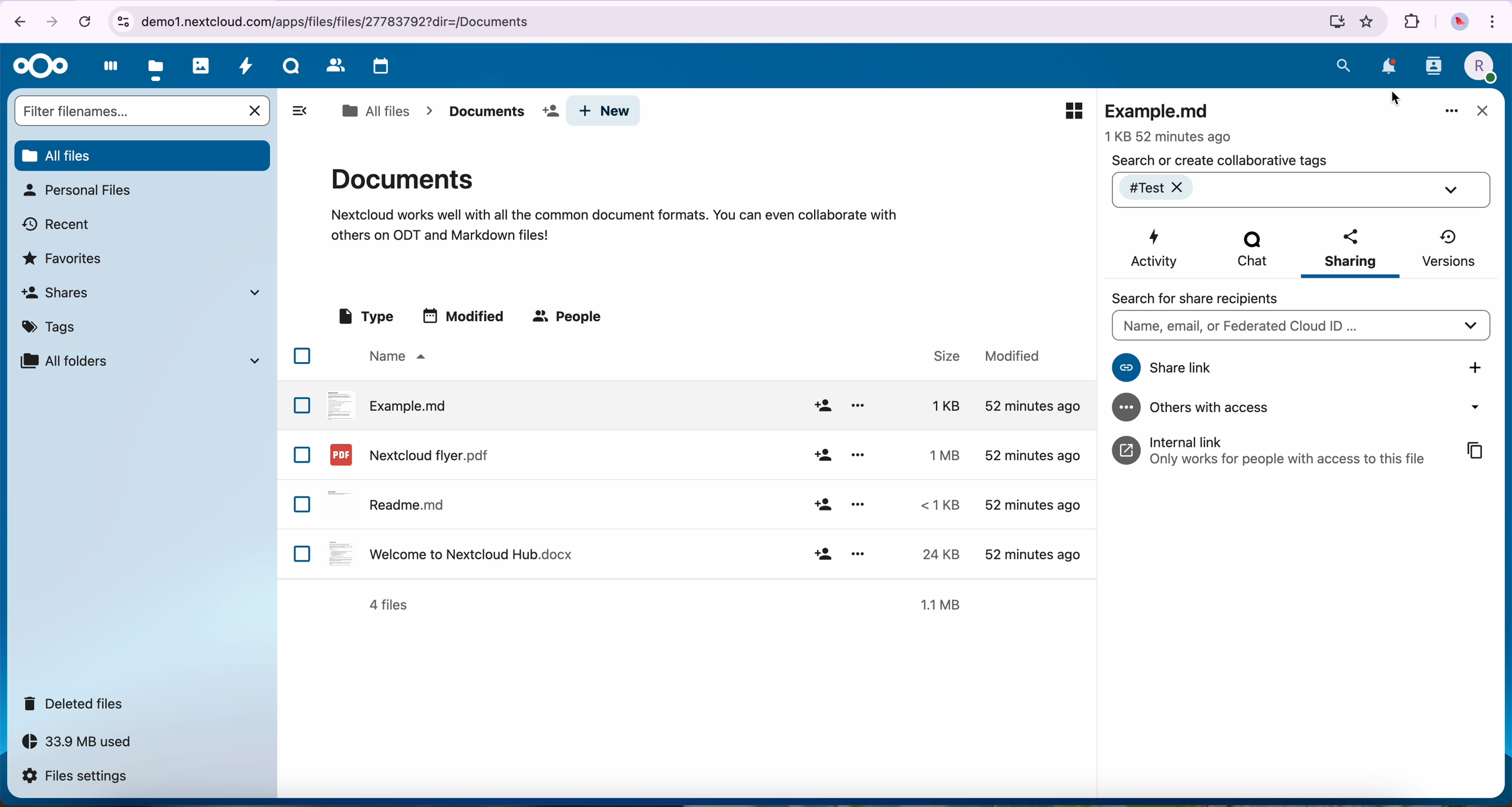 Image resolution: width=1512 pixels, height=807 pixels. Describe the element at coordinates (858, 454) in the screenshot. I see `options` at that location.